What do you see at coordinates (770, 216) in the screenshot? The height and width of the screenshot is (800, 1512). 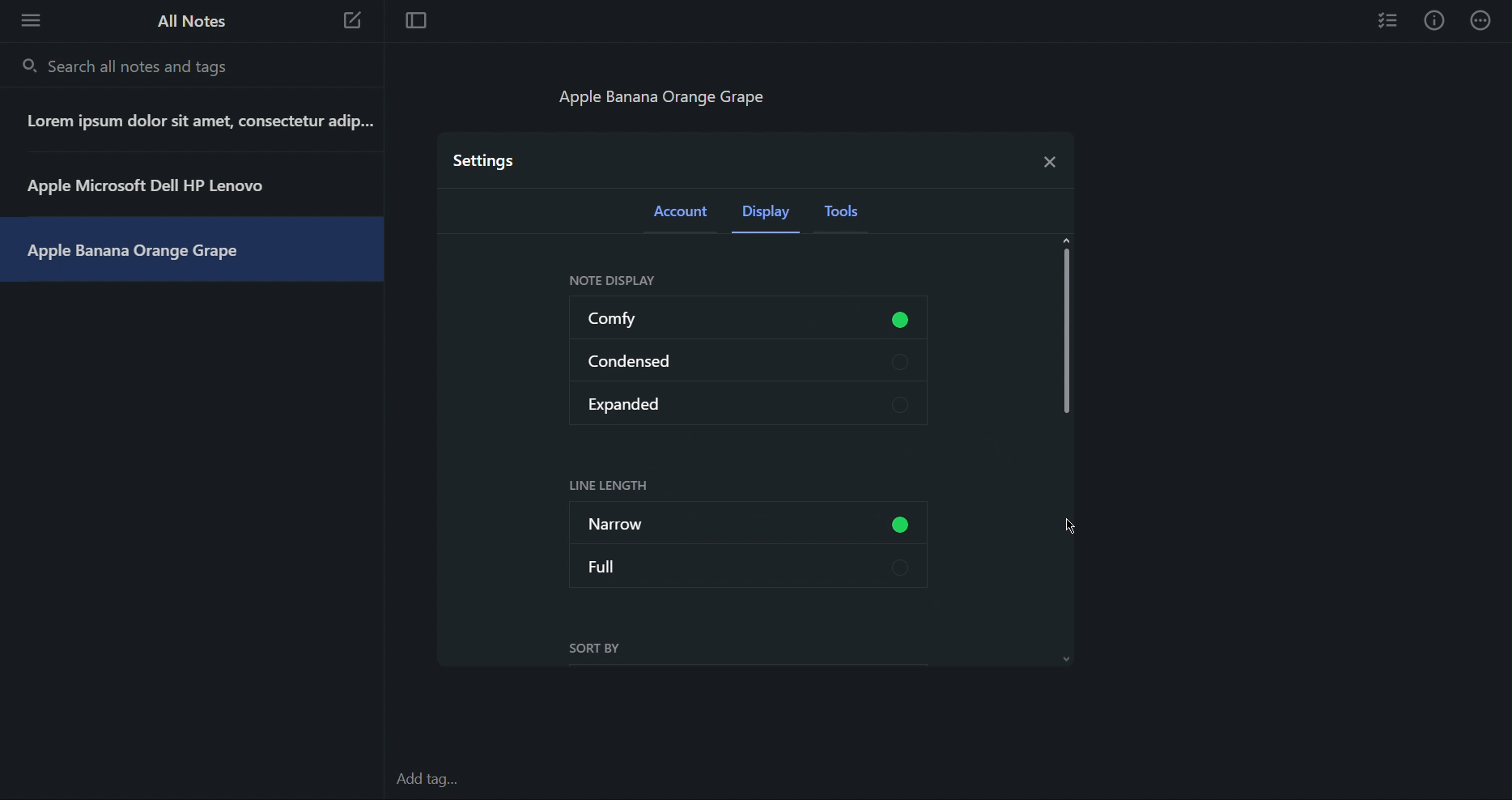 I see `Display` at bounding box center [770, 216].